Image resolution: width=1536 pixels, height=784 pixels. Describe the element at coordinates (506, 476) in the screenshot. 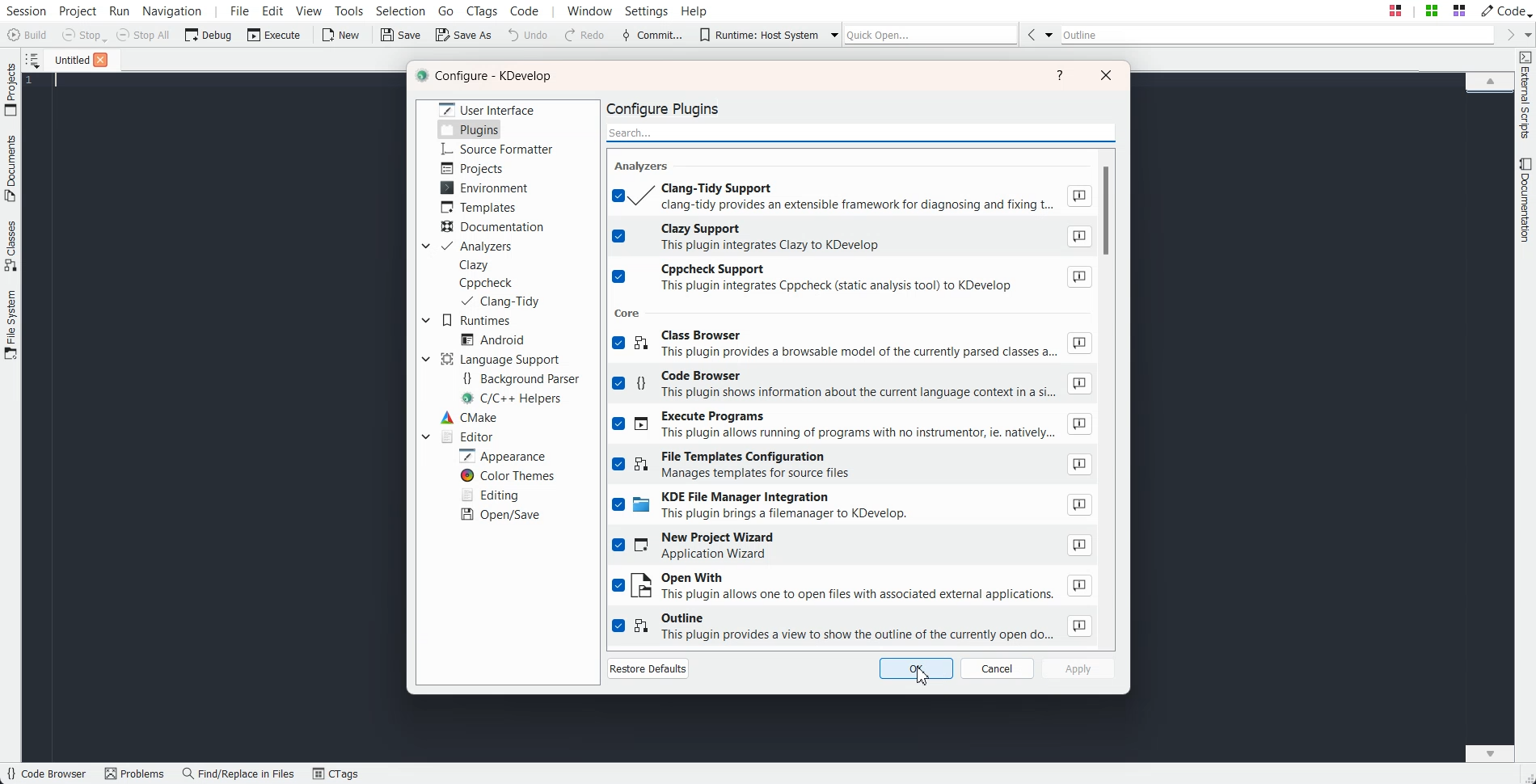

I see `Color Themes` at that location.